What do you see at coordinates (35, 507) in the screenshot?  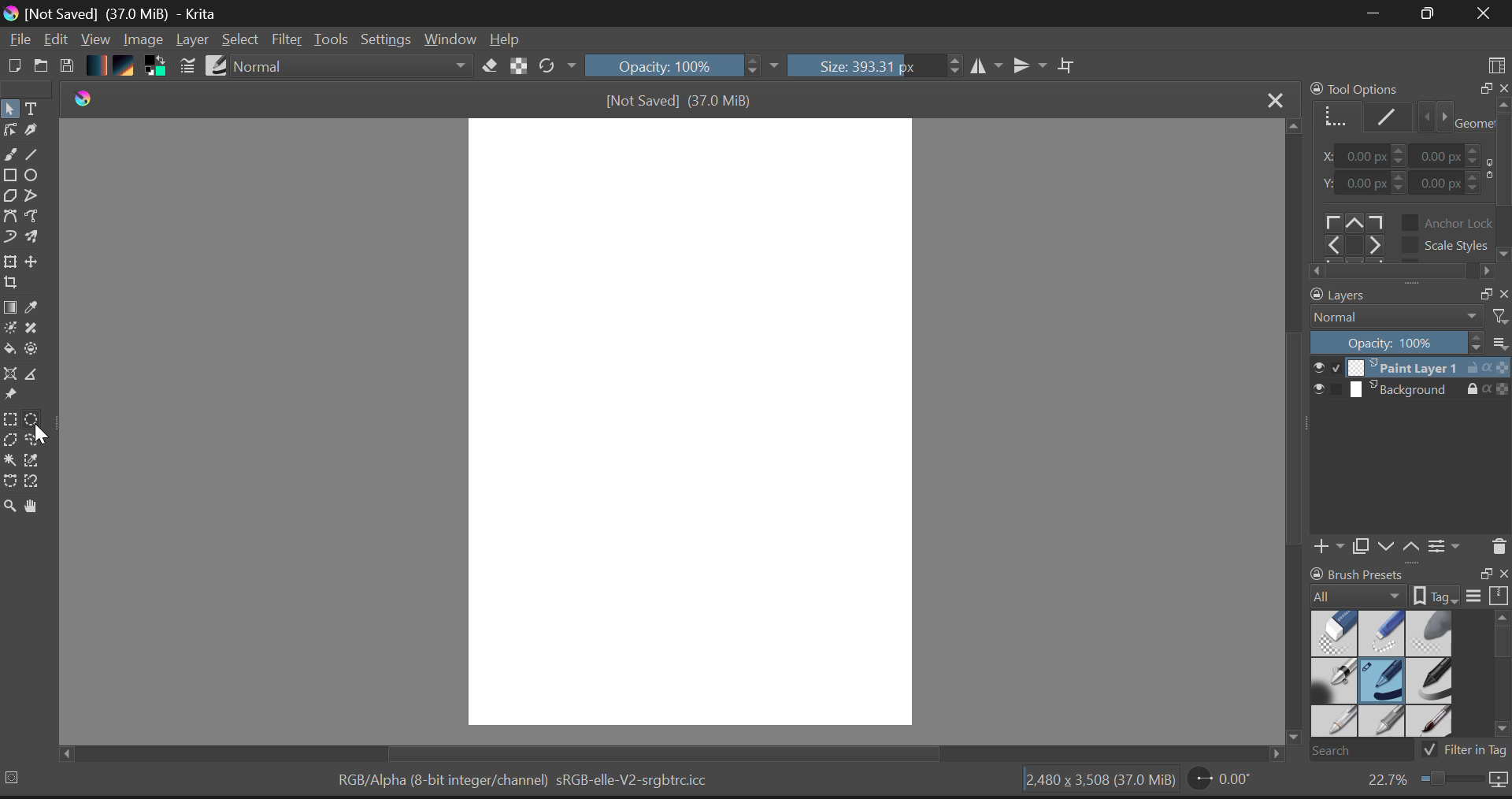 I see `Pan` at bounding box center [35, 507].